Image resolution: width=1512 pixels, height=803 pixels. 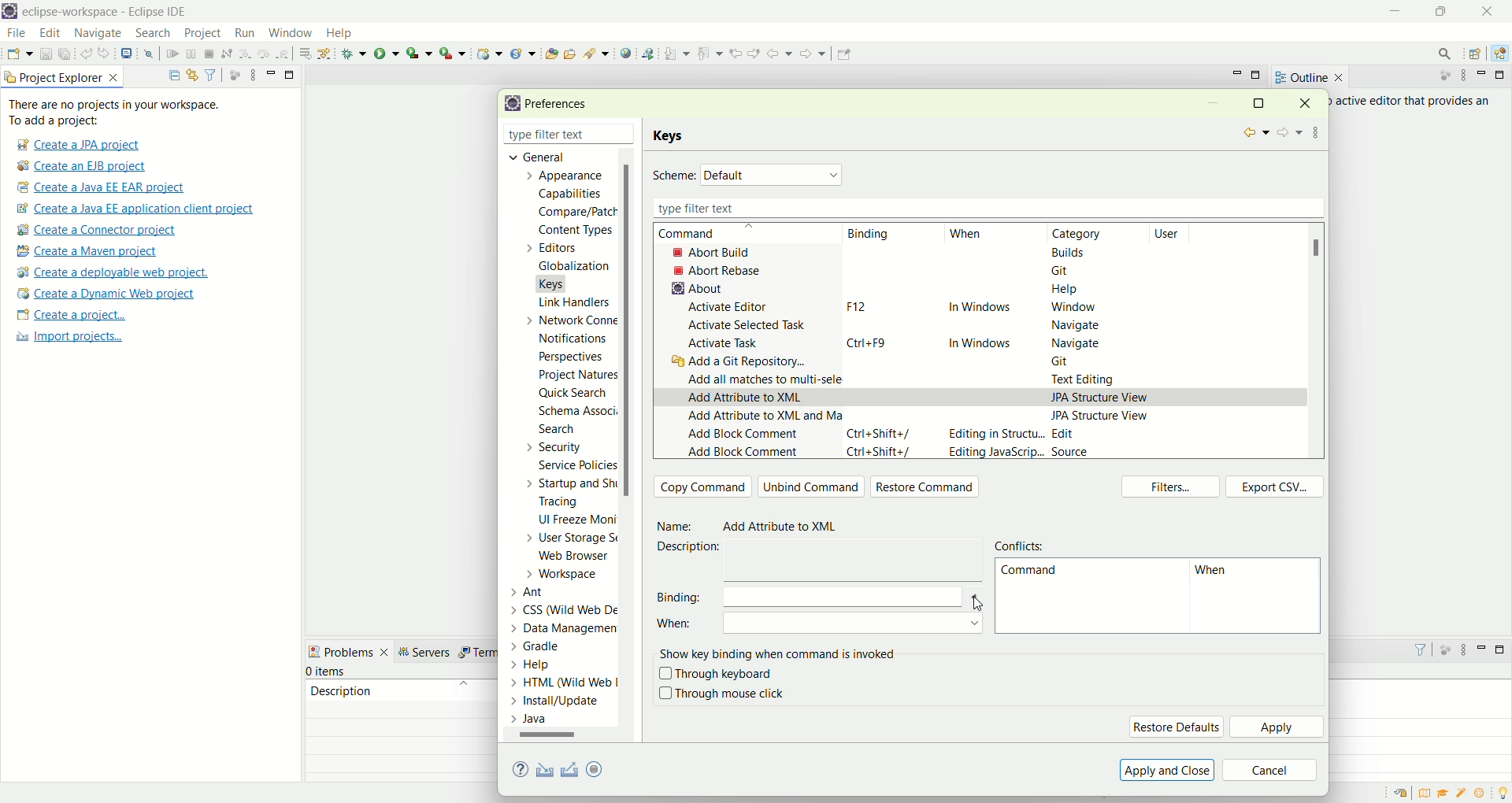 What do you see at coordinates (92, 252) in the screenshot?
I see `create a maven project` at bounding box center [92, 252].